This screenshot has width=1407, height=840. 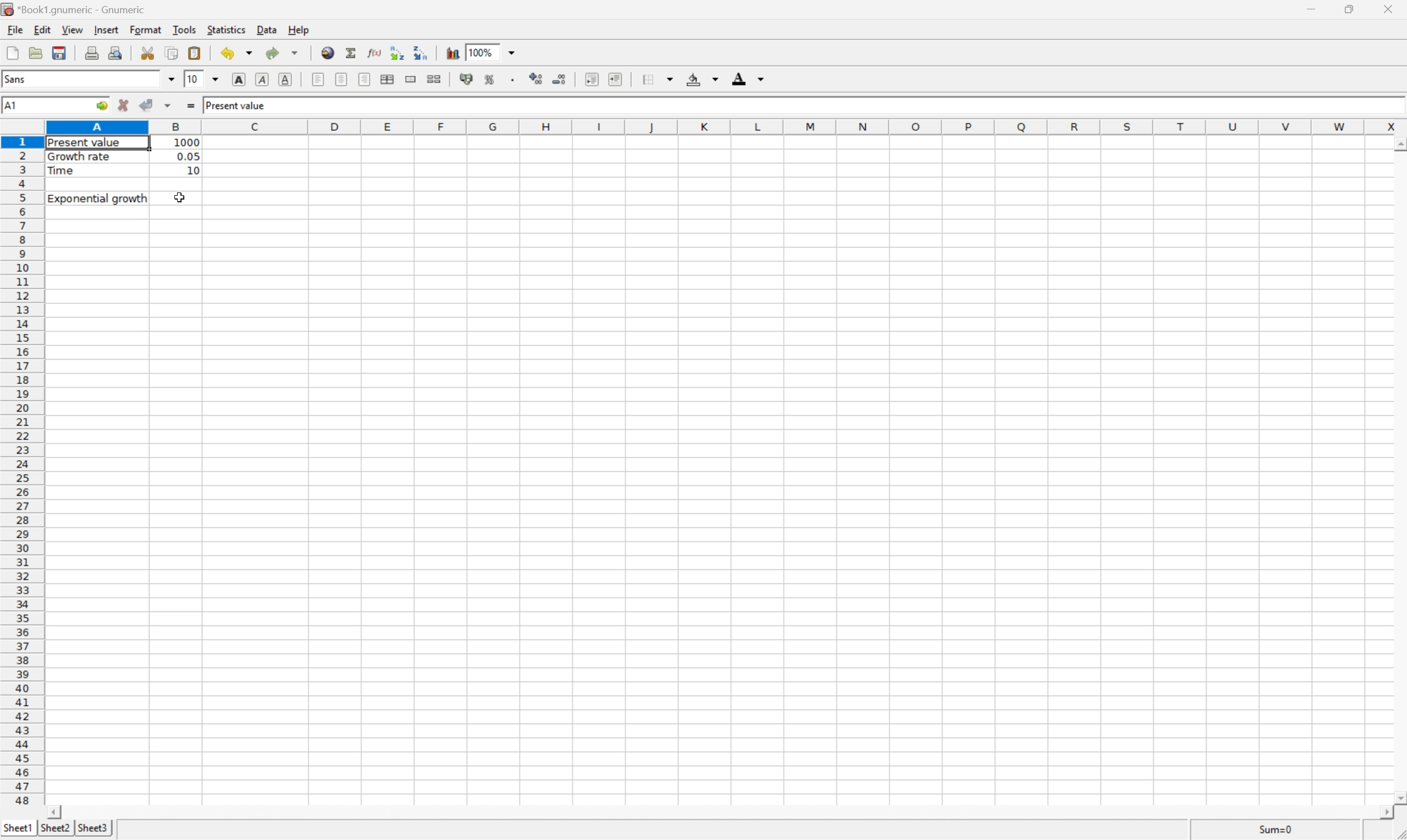 What do you see at coordinates (537, 79) in the screenshot?
I see `Increase the number of decimals displayed` at bounding box center [537, 79].